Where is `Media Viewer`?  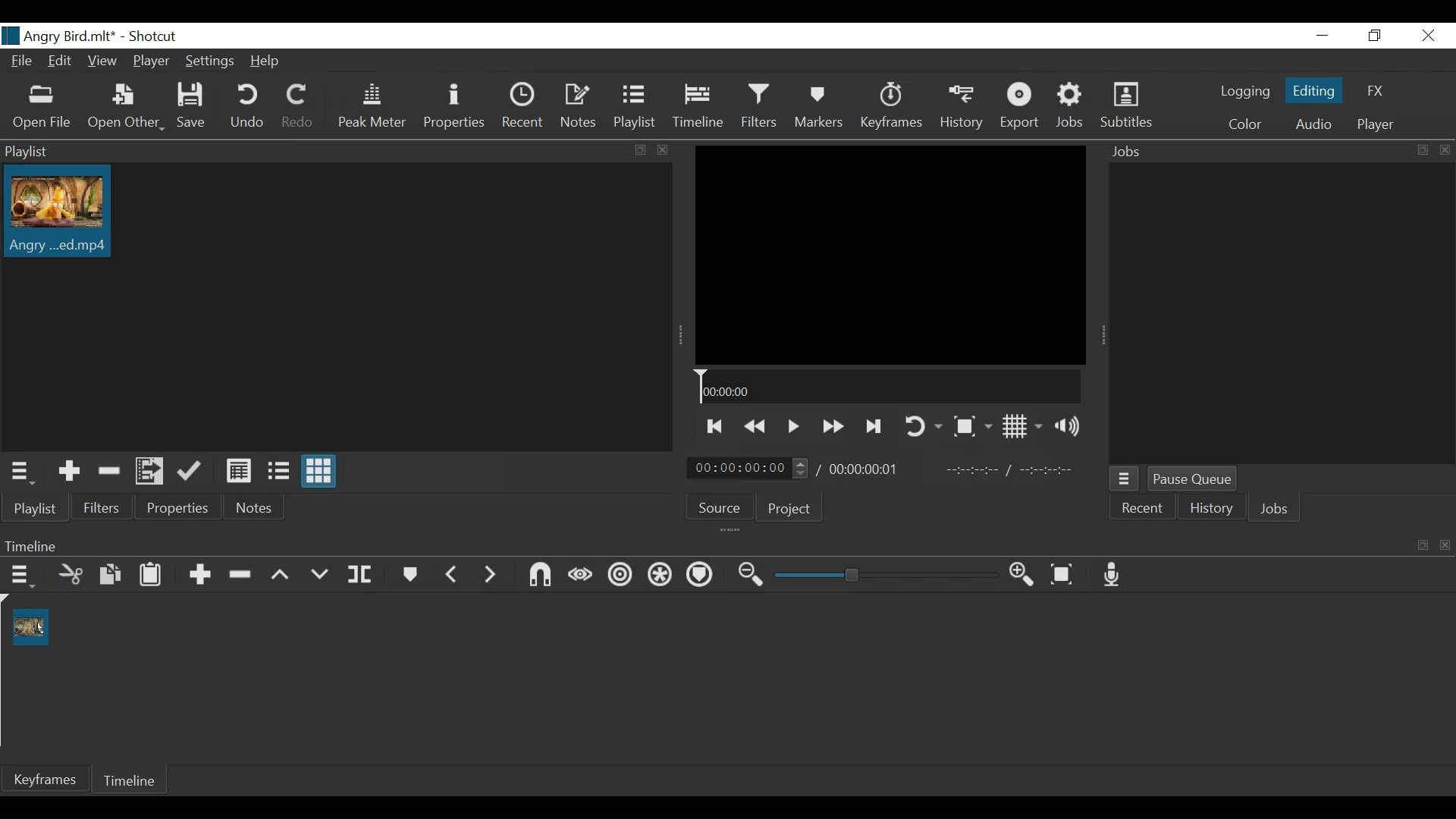 Media Viewer is located at coordinates (890, 255).